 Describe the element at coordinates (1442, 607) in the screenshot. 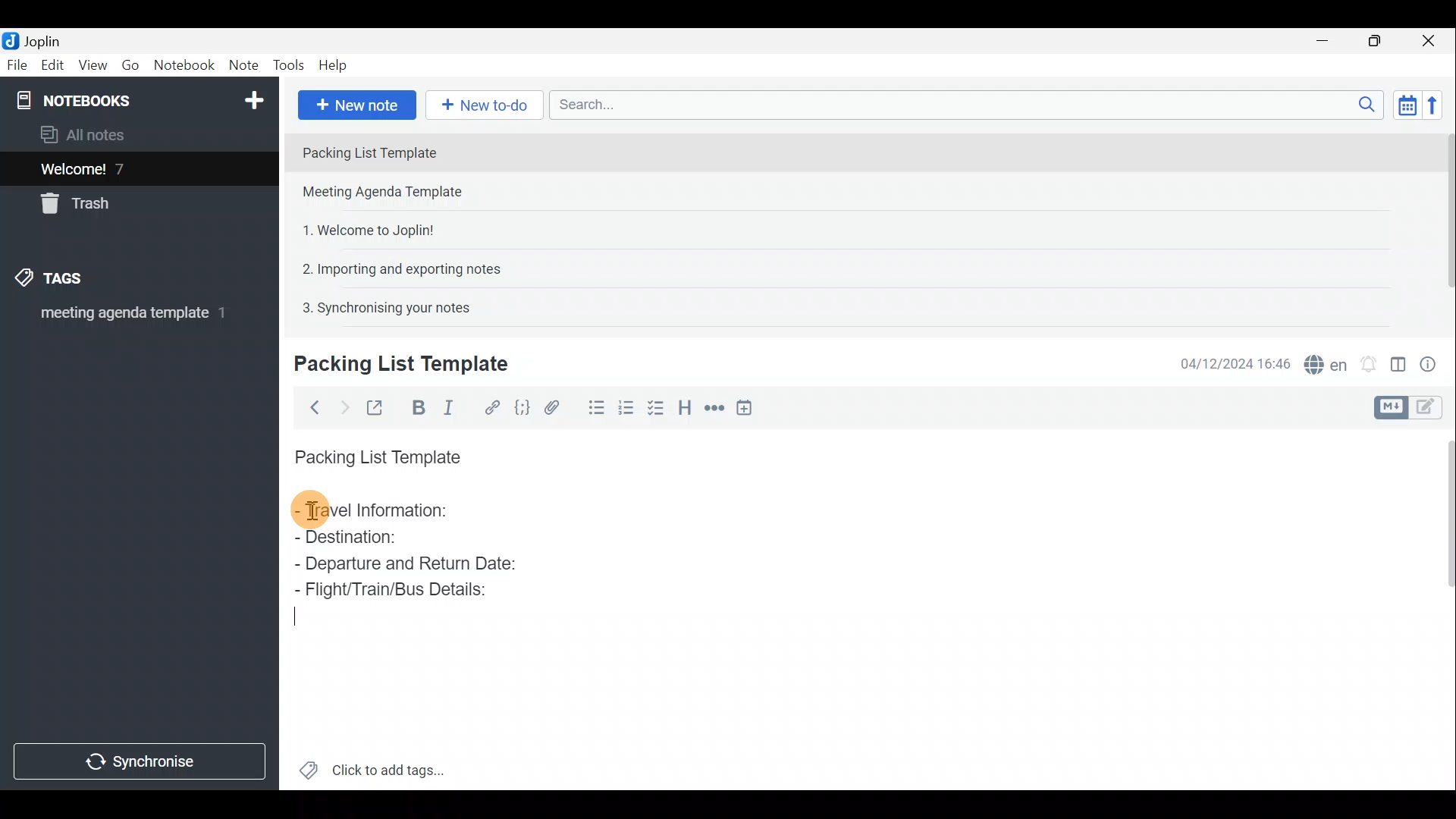

I see `Scroll bar` at that location.